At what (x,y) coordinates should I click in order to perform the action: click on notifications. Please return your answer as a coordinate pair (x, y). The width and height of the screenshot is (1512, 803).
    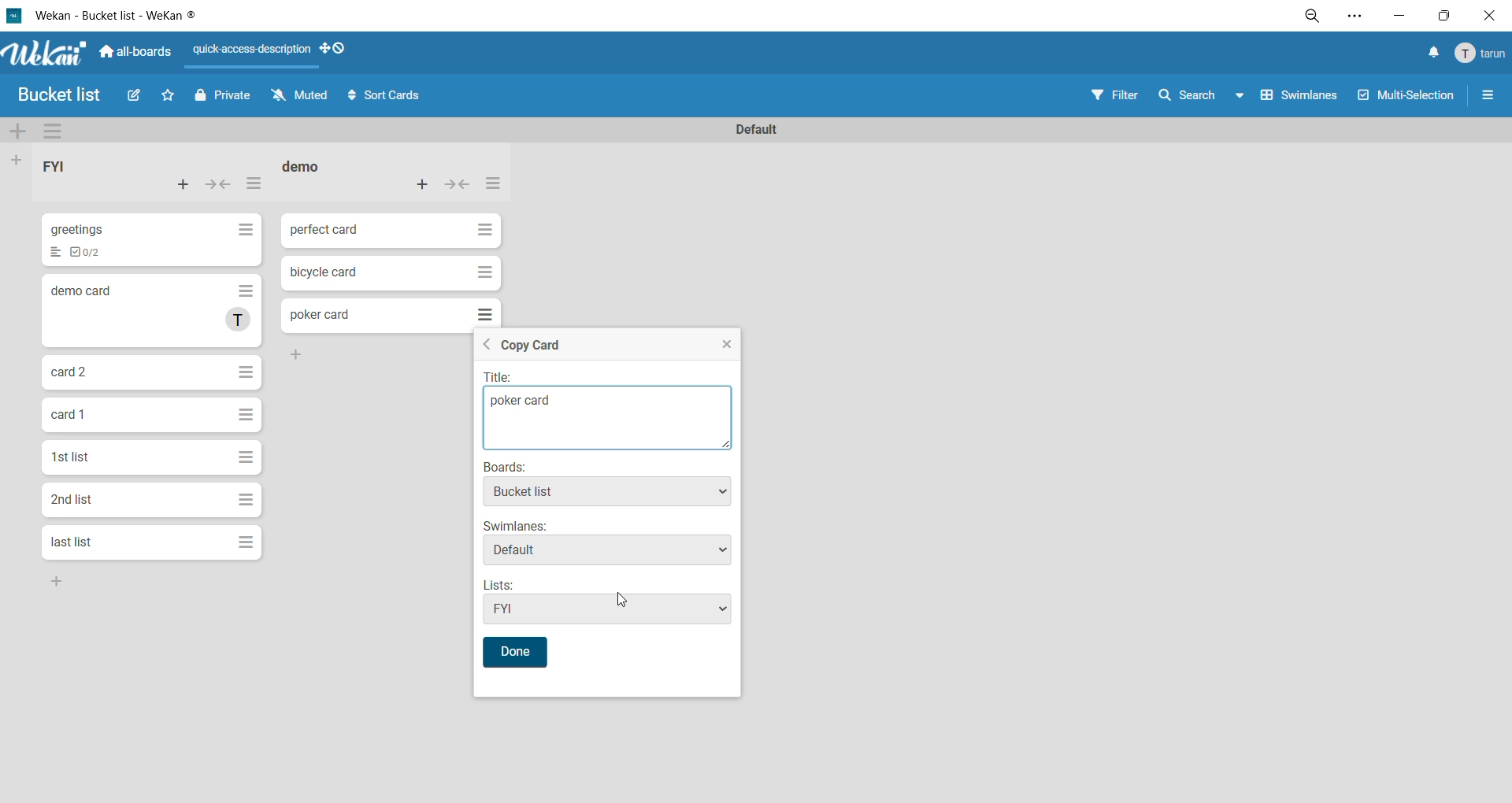
    Looking at the image, I should click on (1429, 54).